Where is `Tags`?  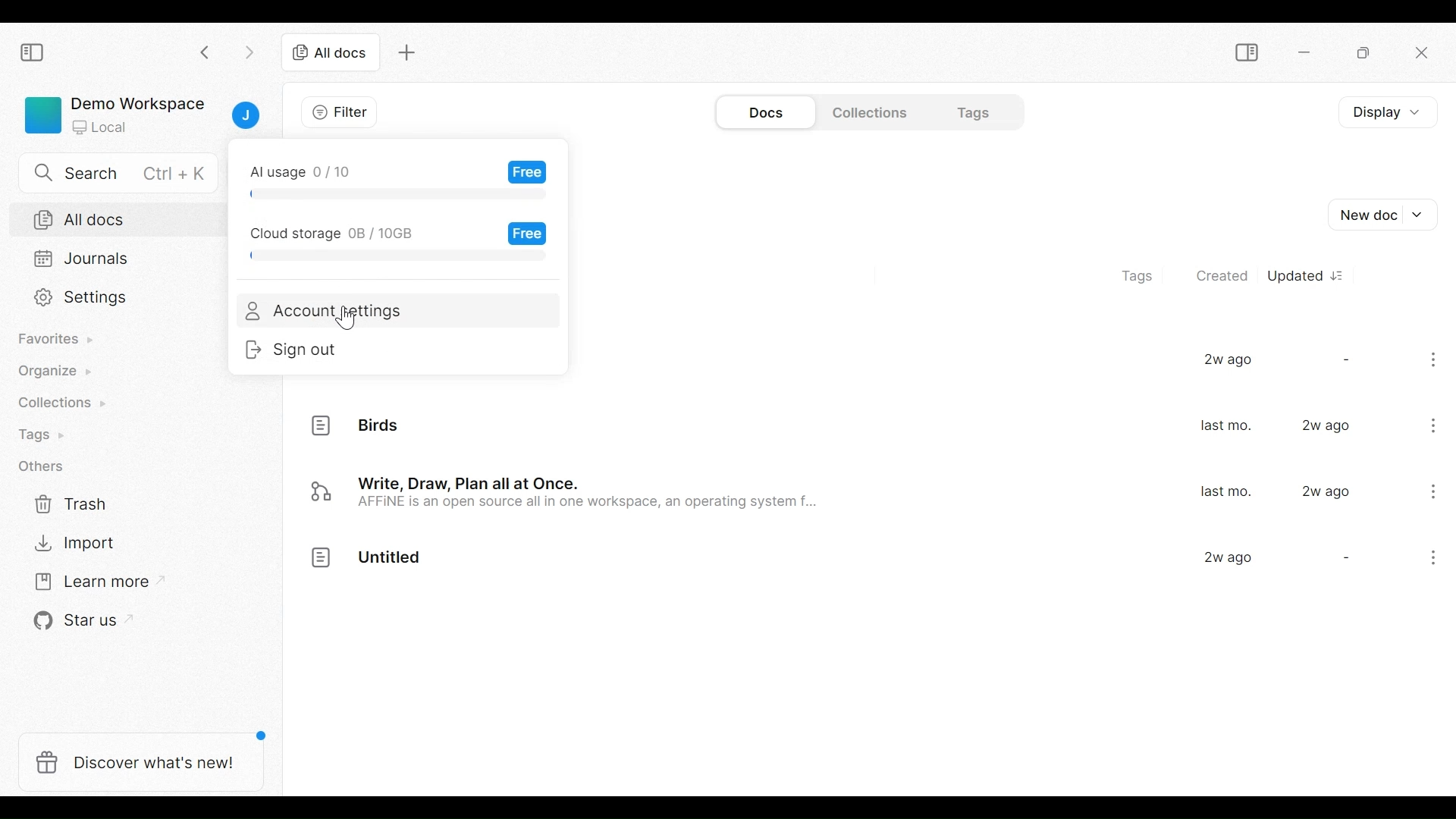
Tags is located at coordinates (966, 111).